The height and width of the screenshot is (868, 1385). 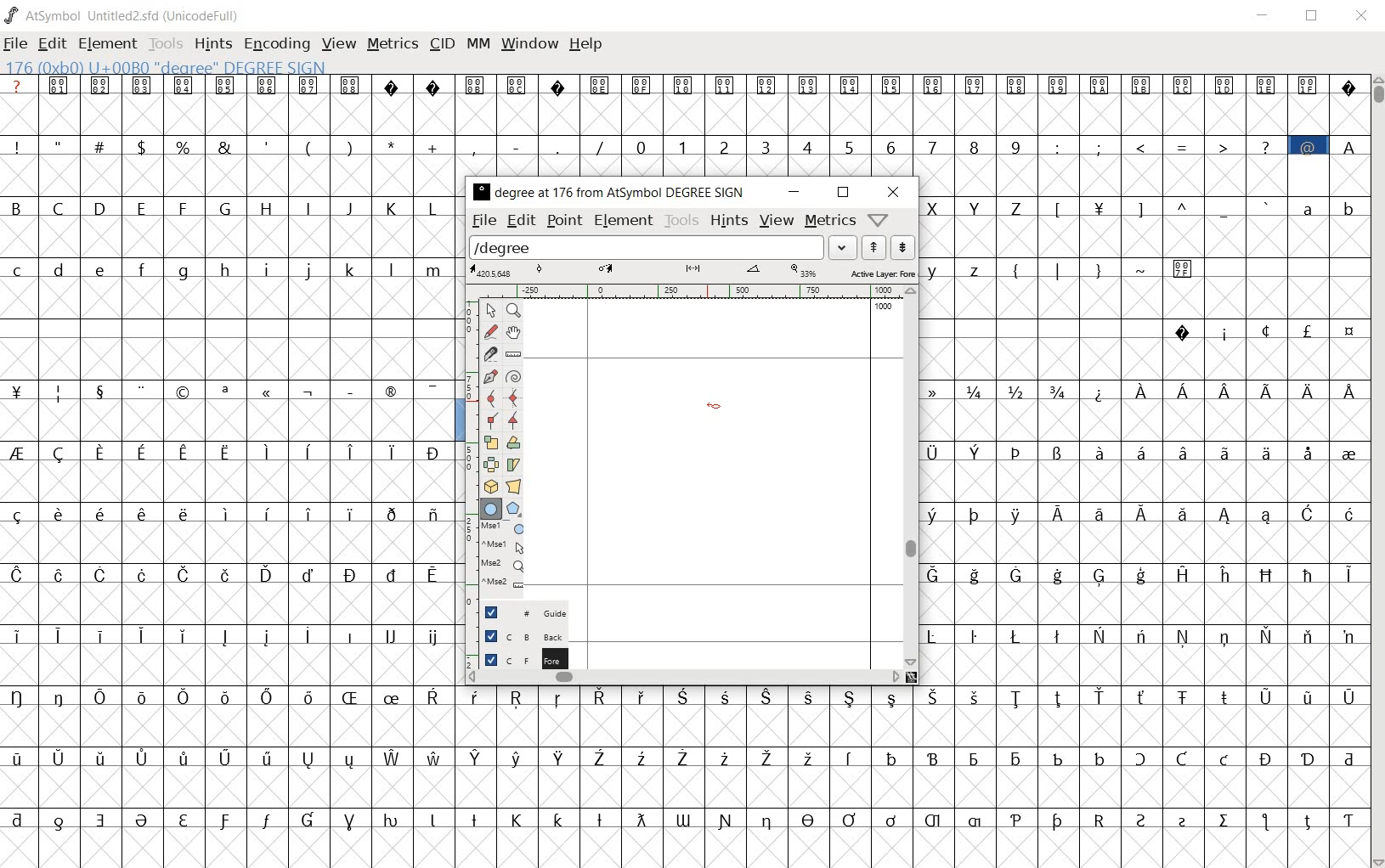 What do you see at coordinates (108, 43) in the screenshot?
I see `element` at bounding box center [108, 43].